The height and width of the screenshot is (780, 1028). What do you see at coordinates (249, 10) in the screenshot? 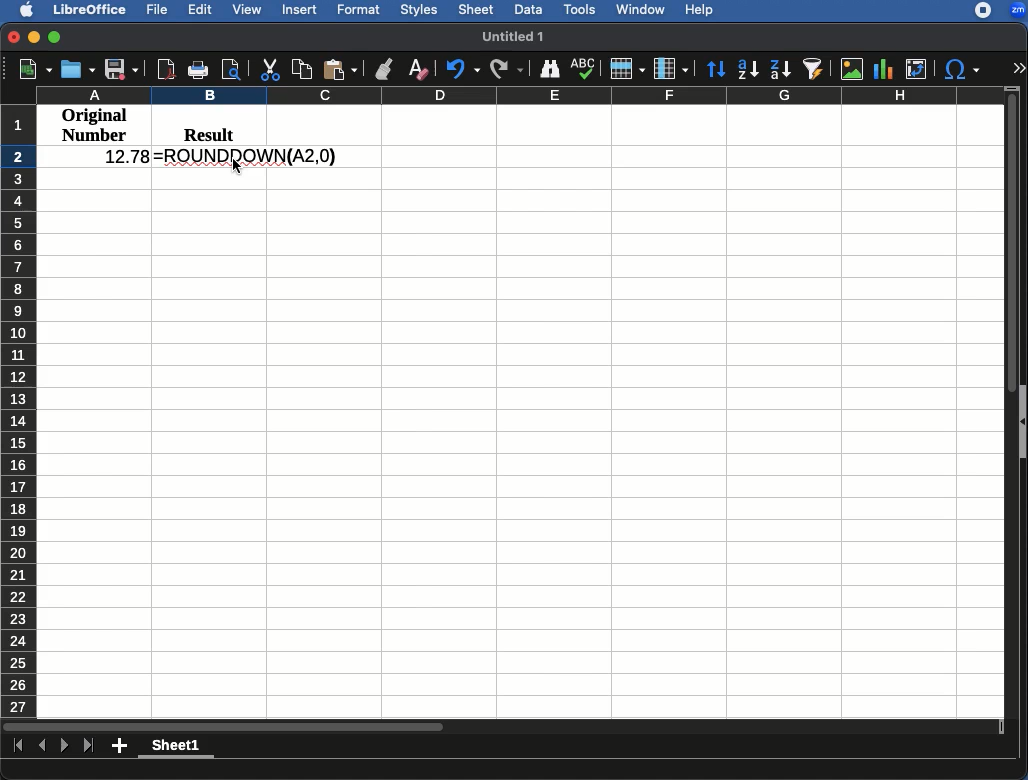
I see `View` at bounding box center [249, 10].